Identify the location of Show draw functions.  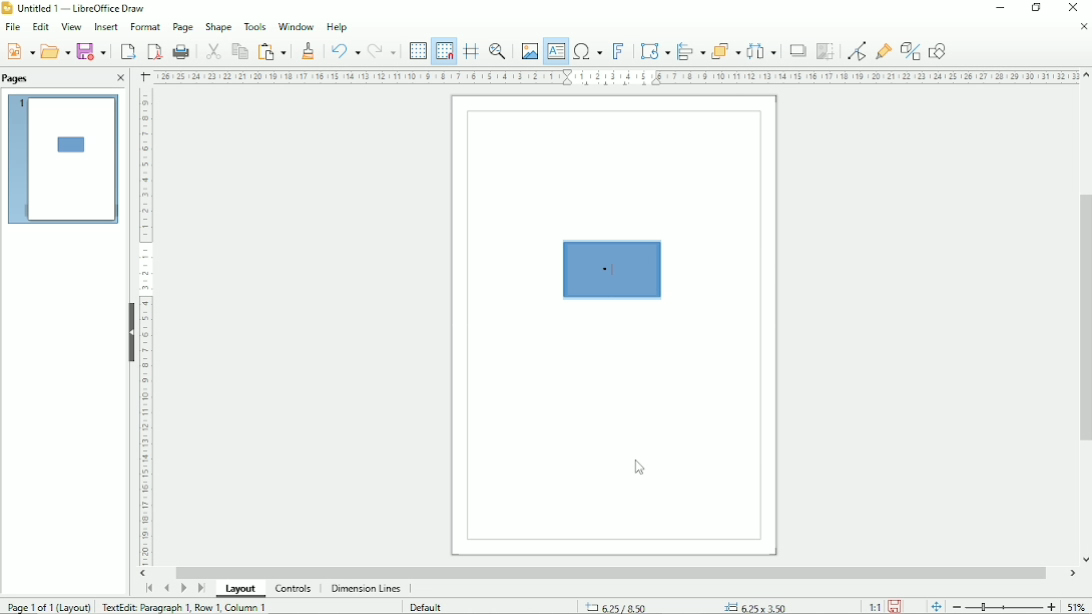
(939, 50).